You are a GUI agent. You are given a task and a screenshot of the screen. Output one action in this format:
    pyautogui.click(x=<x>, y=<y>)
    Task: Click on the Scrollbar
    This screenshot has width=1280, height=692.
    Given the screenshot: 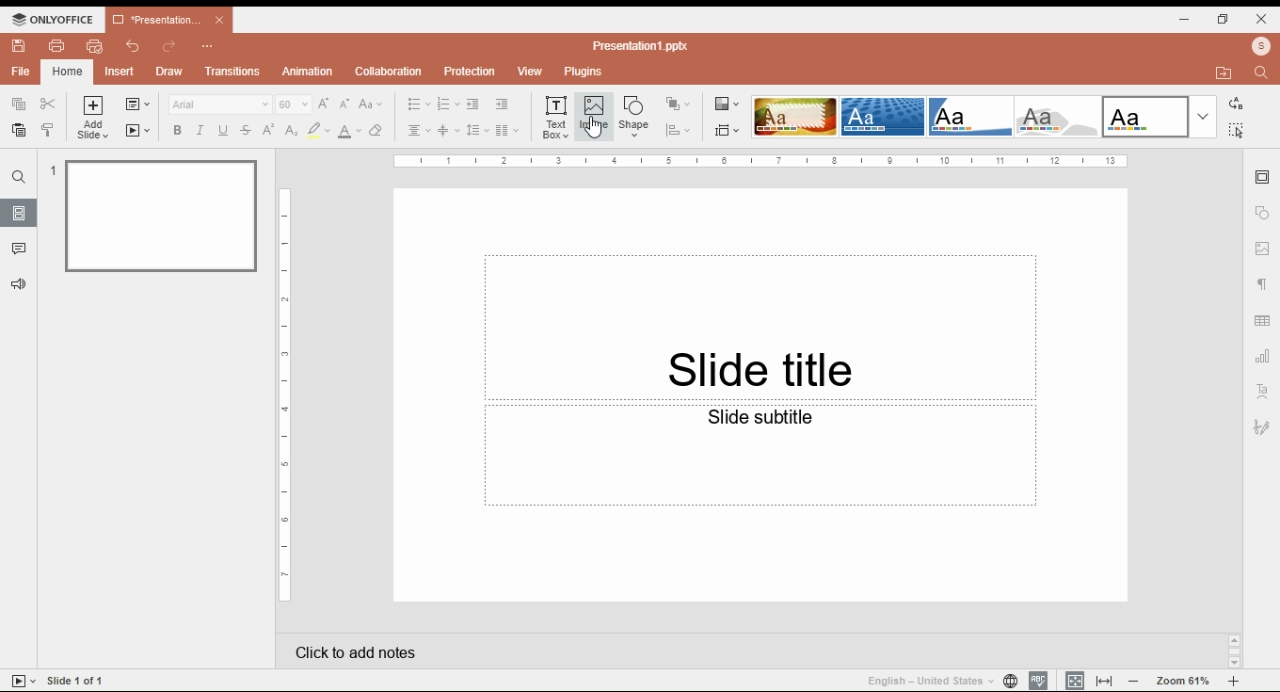 What is the action you would take?
    pyautogui.click(x=1232, y=651)
    